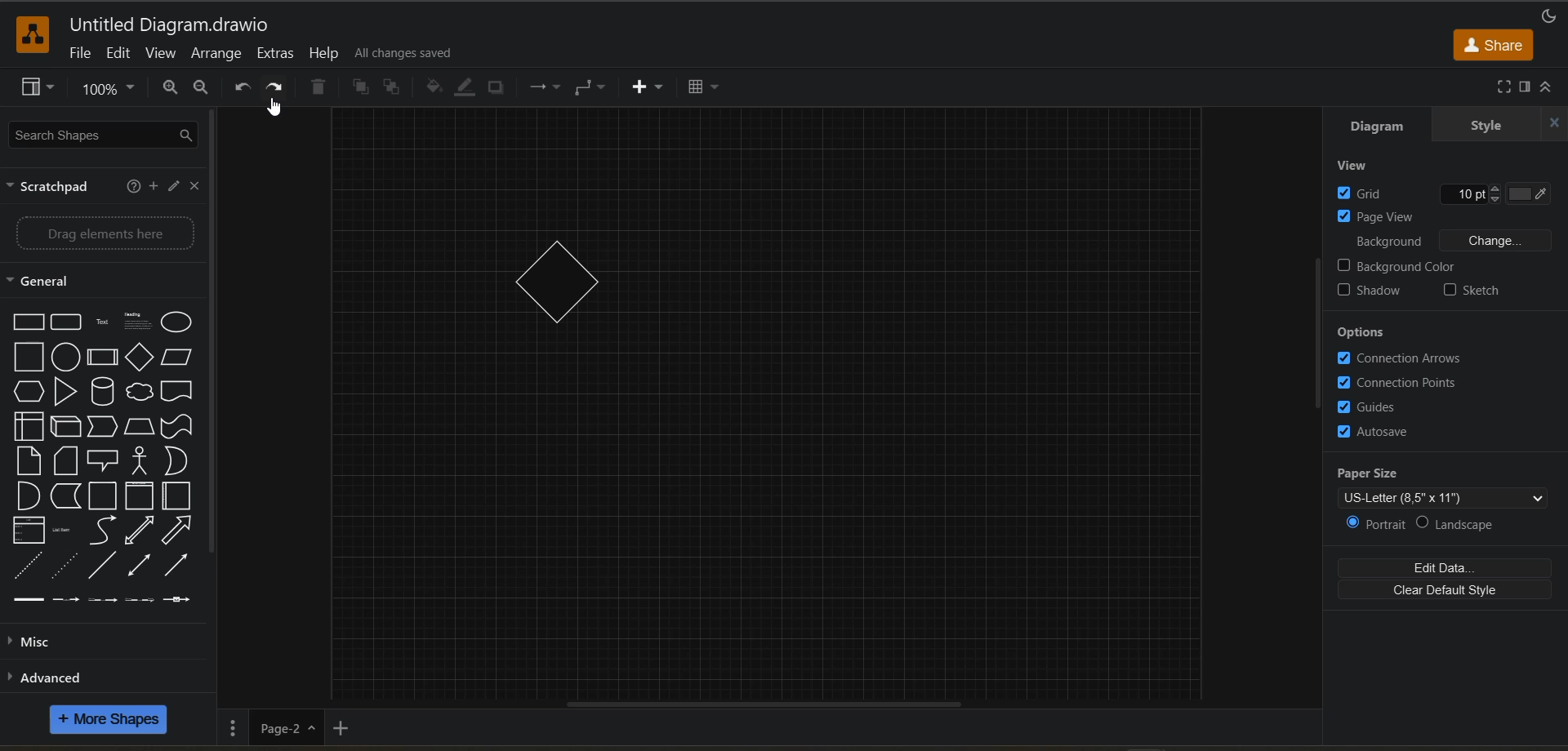 The image size is (1568, 751). What do you see at coordinates (1548, 18) in the screenshot?
I see `appearance` at bounding box center [1548, 18].